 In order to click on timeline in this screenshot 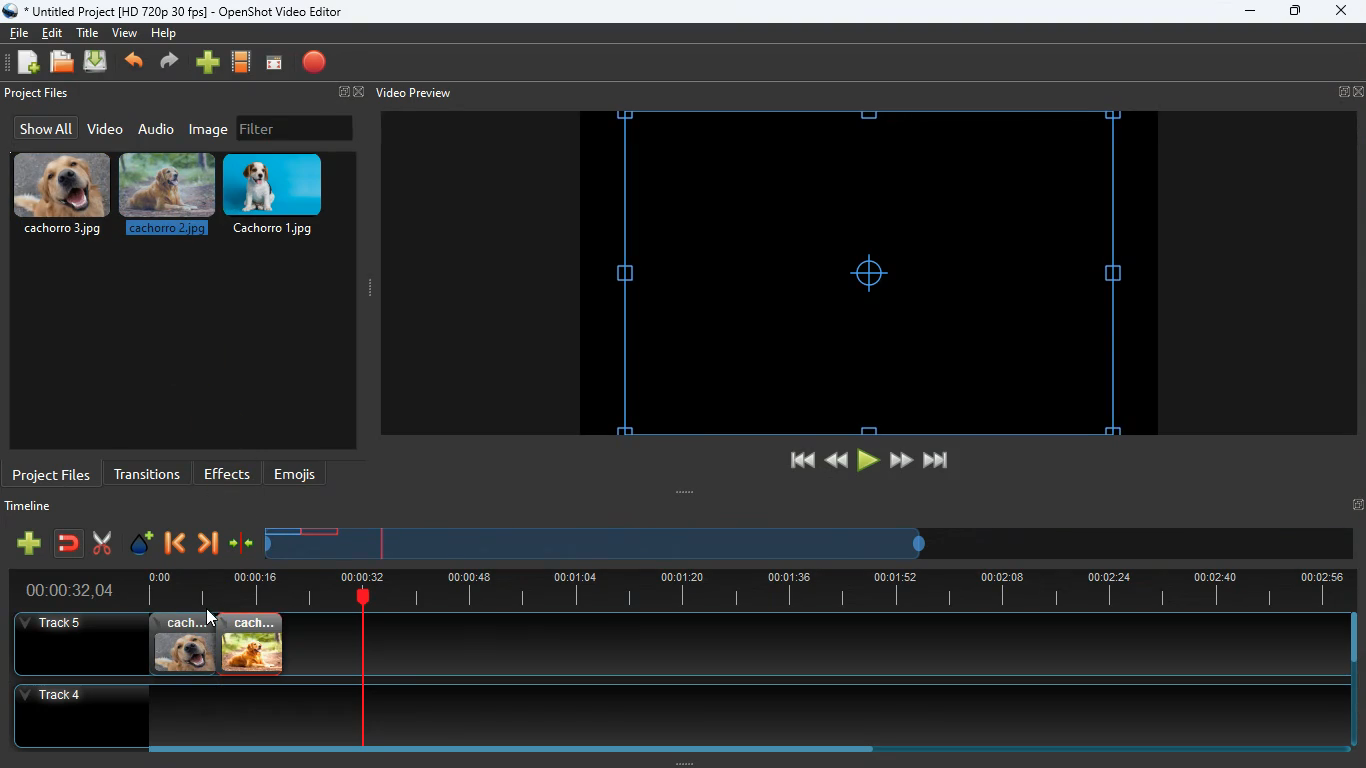, I will do `click(33, 509)`.